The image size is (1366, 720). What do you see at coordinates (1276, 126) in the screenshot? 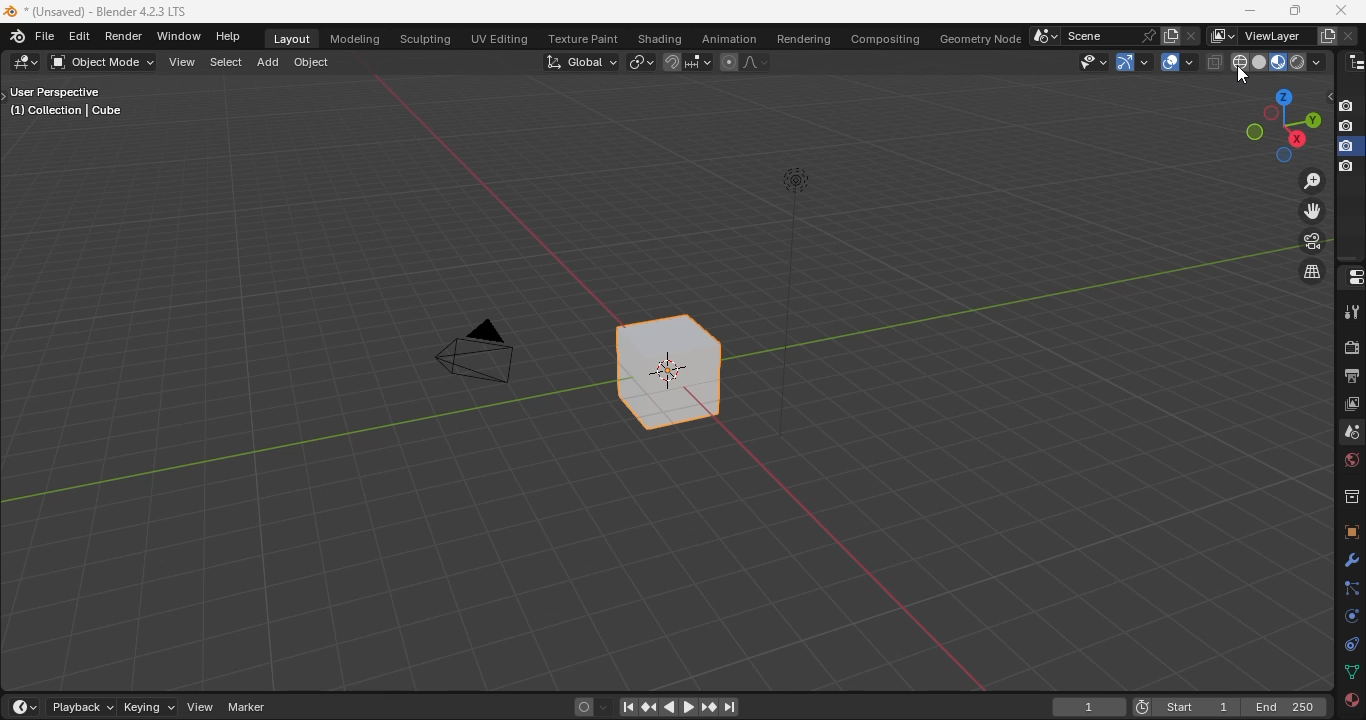
I see `use a preset viewpoint` at bounding box center [1276, 126].